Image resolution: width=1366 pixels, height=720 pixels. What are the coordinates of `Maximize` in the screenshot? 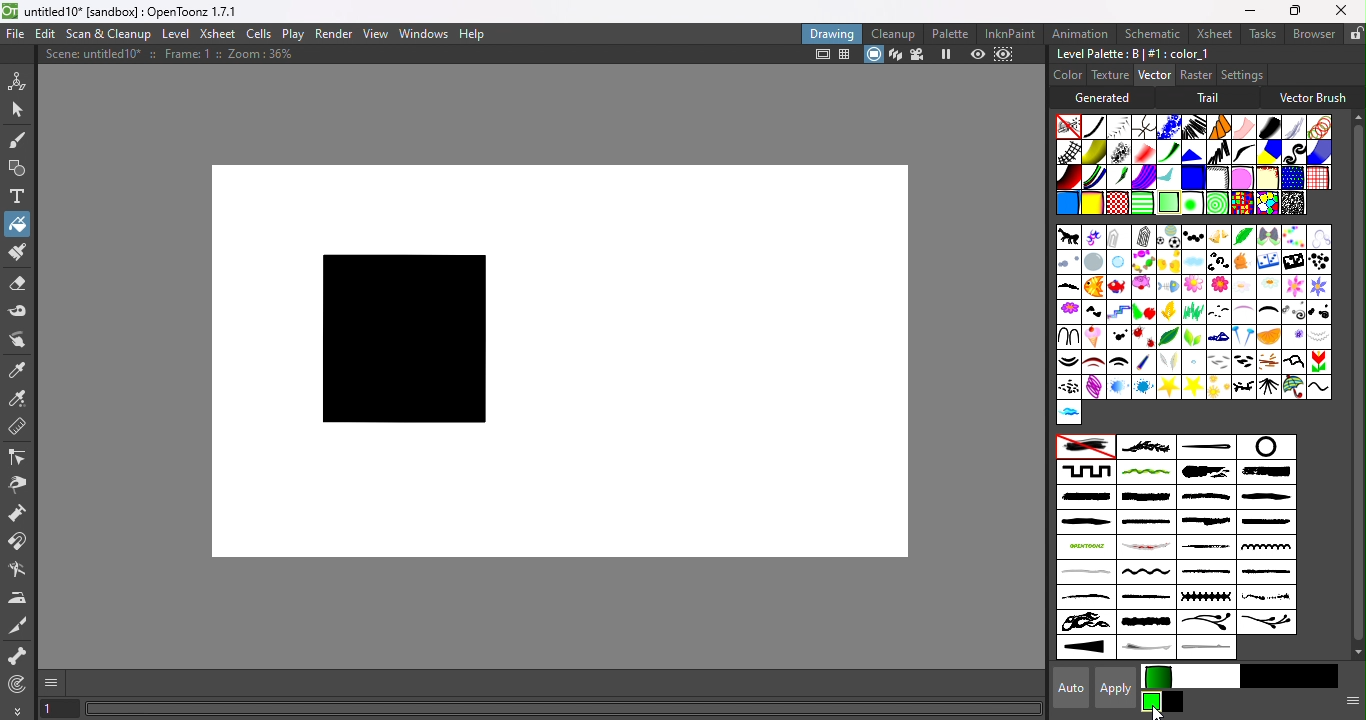 It's located at (1292, 12).